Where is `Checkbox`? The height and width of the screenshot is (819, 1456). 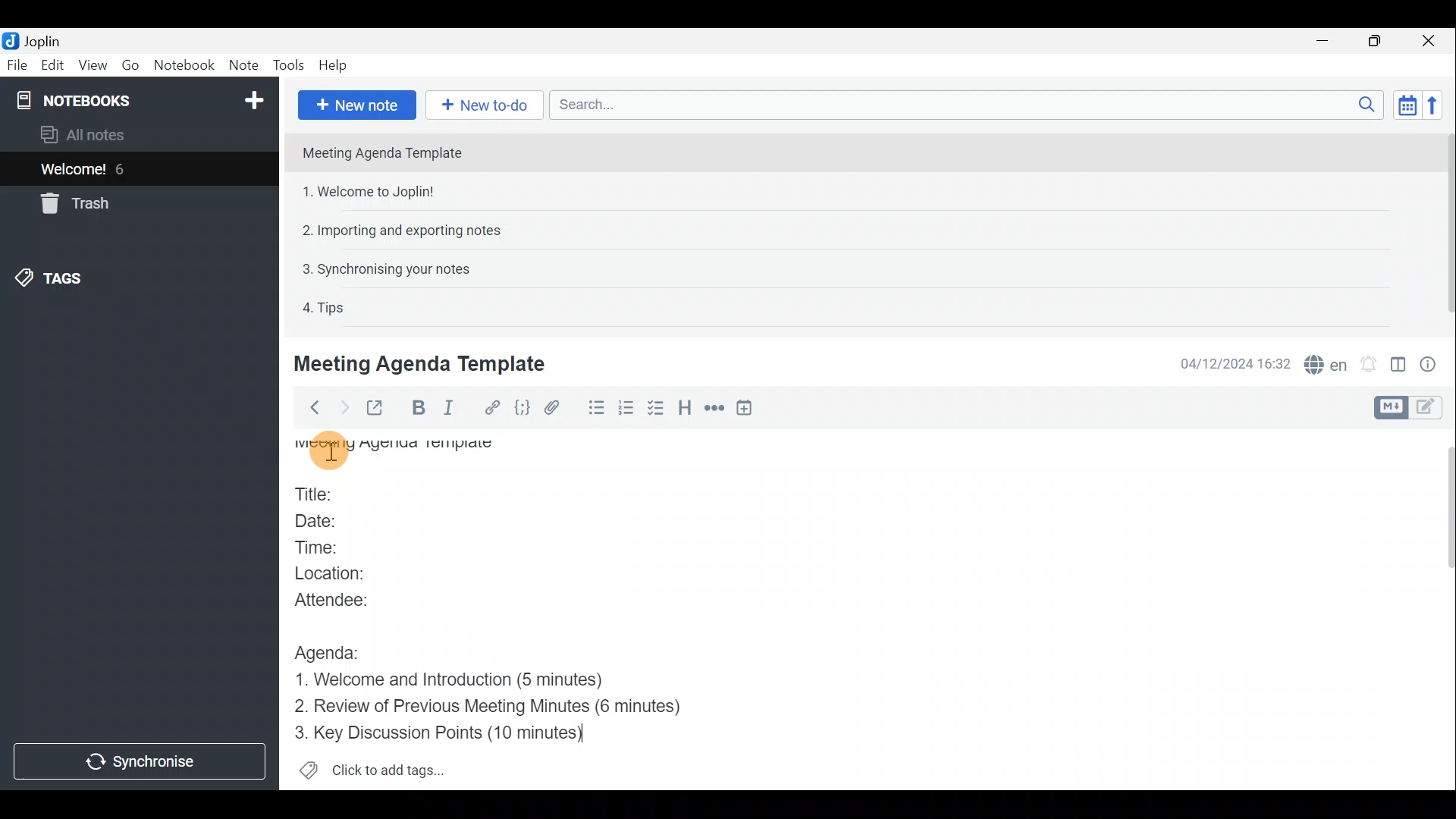
Checkbox is located at coordinates (654, 409).